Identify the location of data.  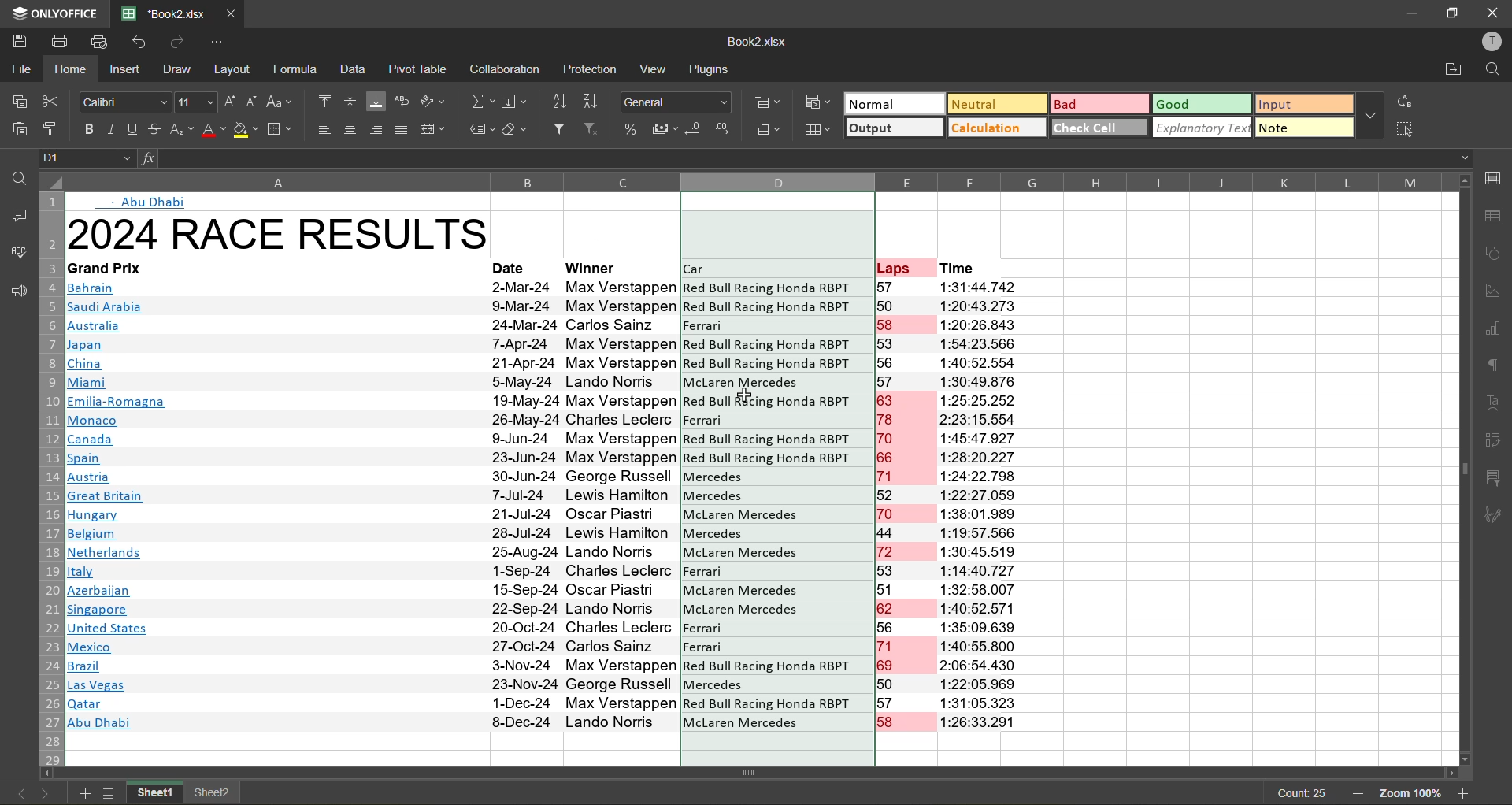
(356, 70).